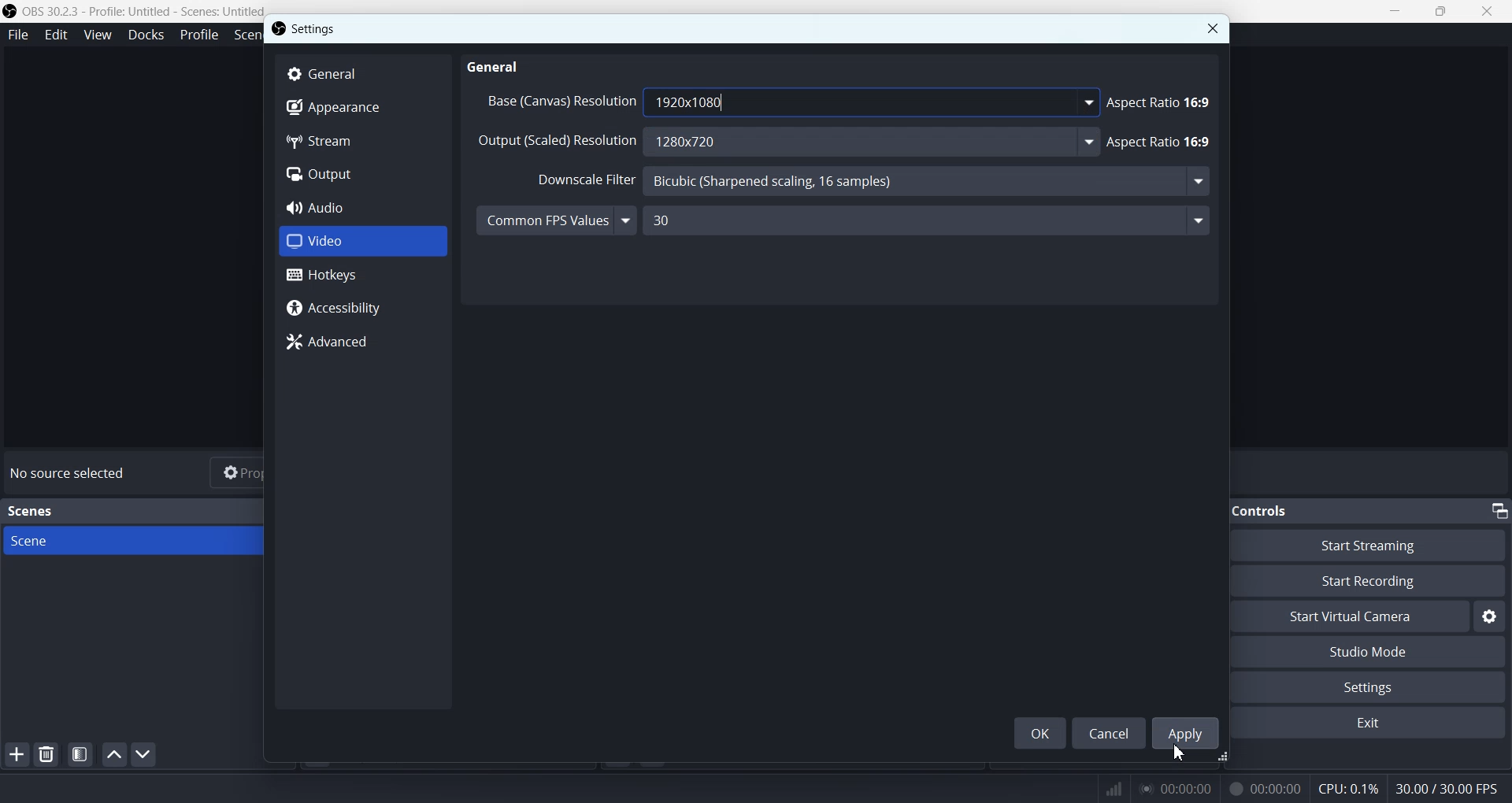 The image size is (1512, 803). What do you see at coordinates (1358, 616) in the screenshot?
I see `Start Virtual Camera` at bounding box center [1358, 616].